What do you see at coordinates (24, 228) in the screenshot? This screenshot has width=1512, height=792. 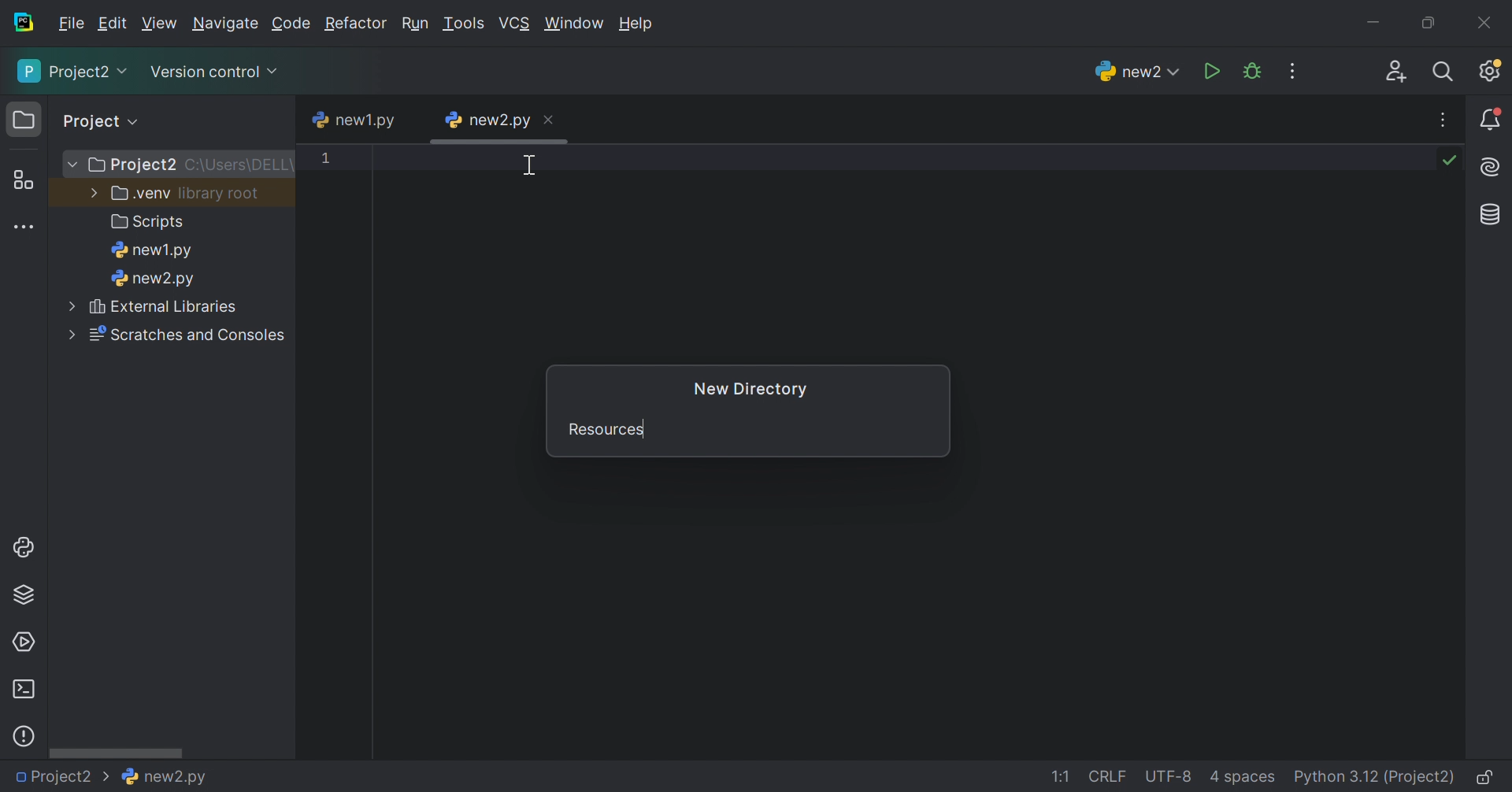 I see `More tool windows` at bounding box center [24, 228].